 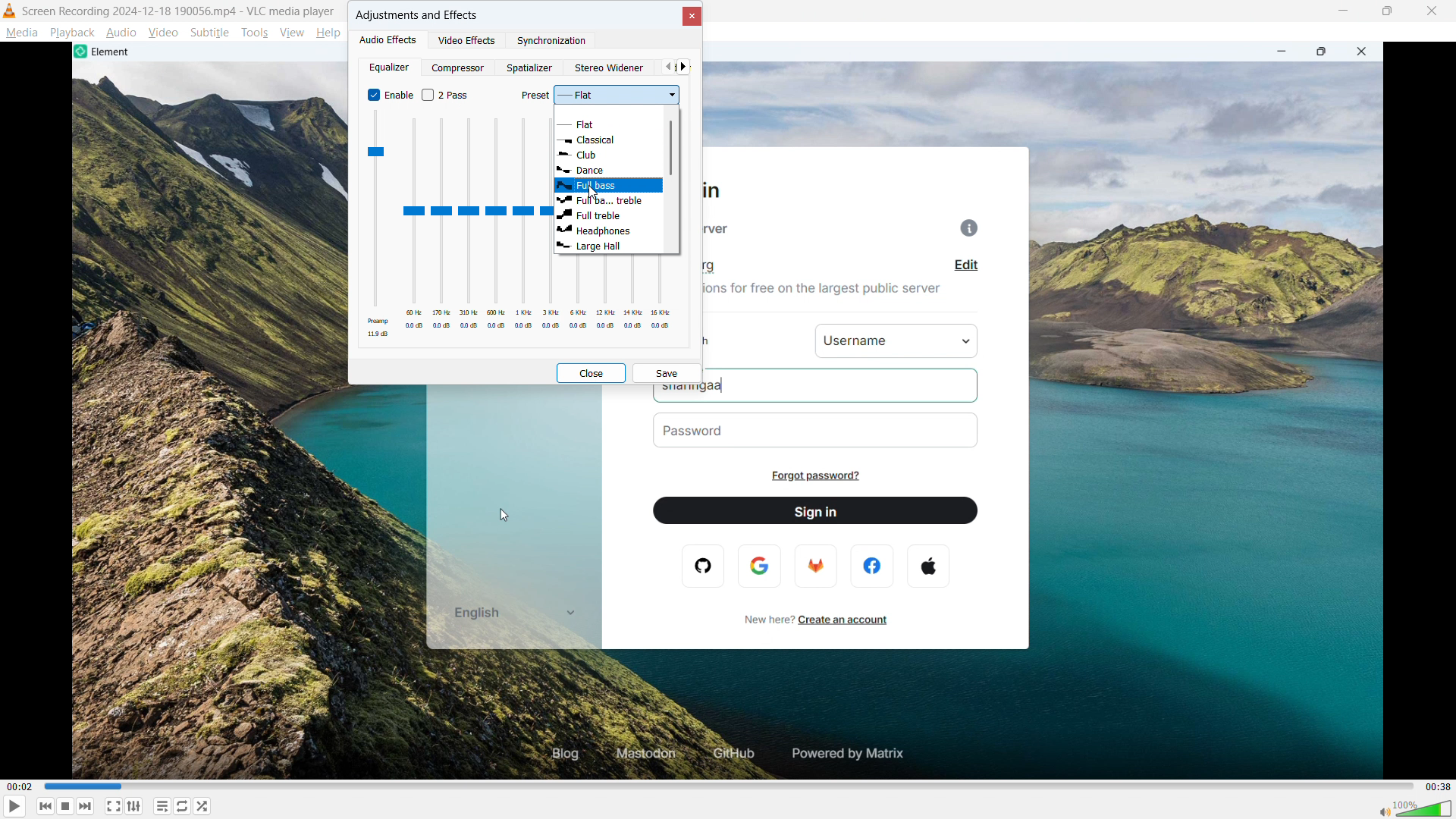 What do you see at coordinates (122, 32) in the screenshot?
I see `Audio ` at bounding box center [122, 32].